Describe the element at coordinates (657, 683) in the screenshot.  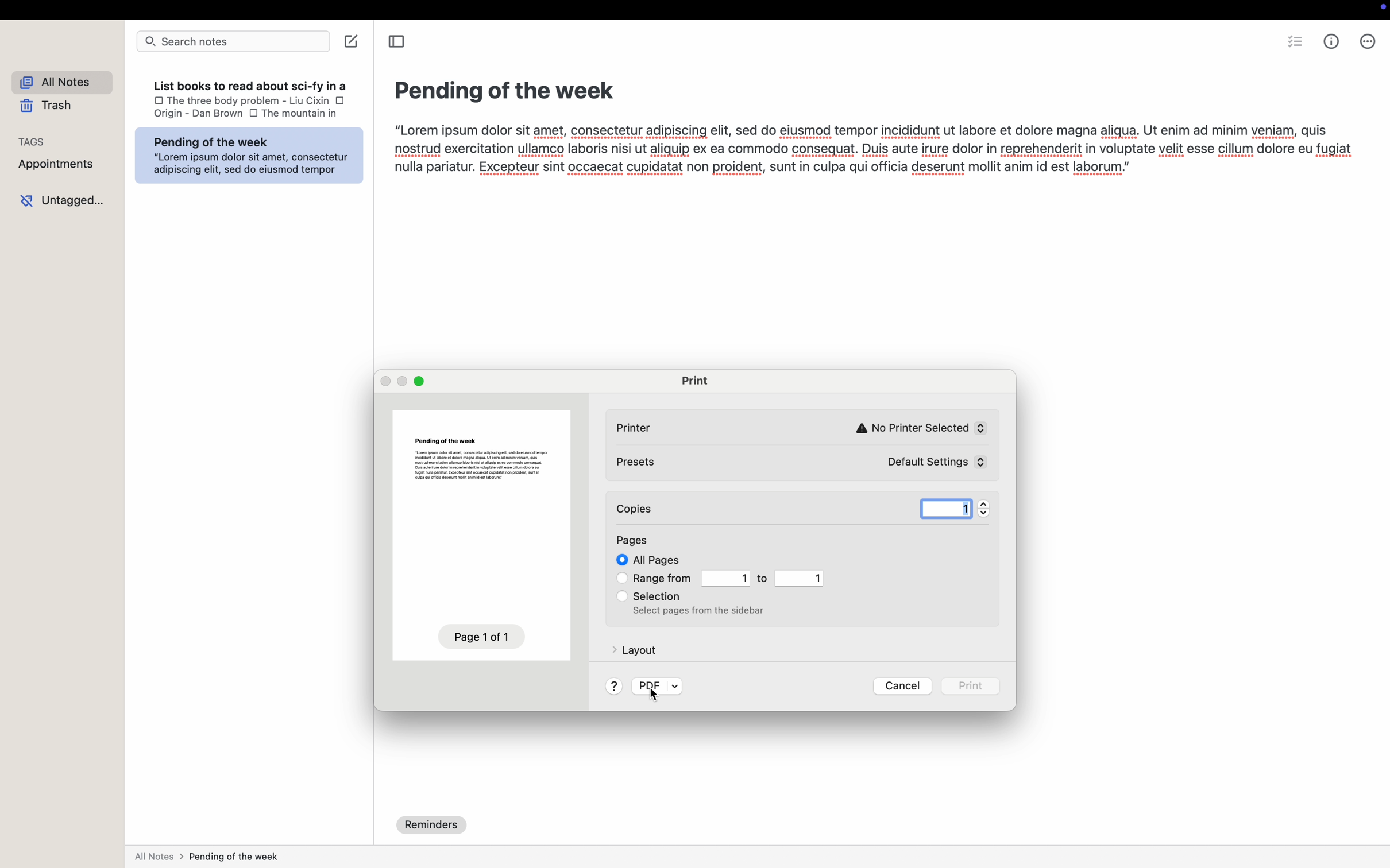
I see `PDF format` at that location.